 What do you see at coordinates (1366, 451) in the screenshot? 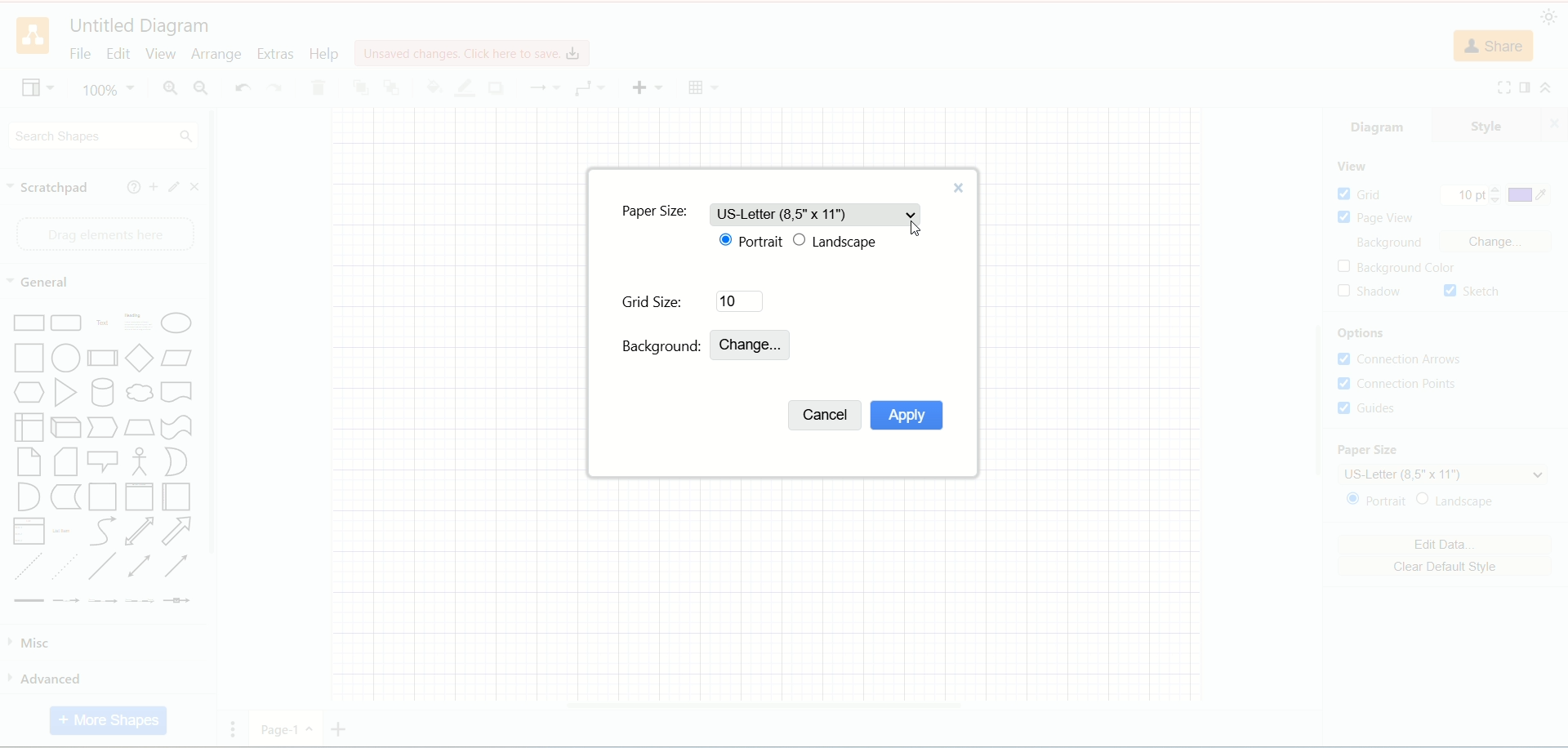
I see `paper size` at bounding box center [1366, 451].